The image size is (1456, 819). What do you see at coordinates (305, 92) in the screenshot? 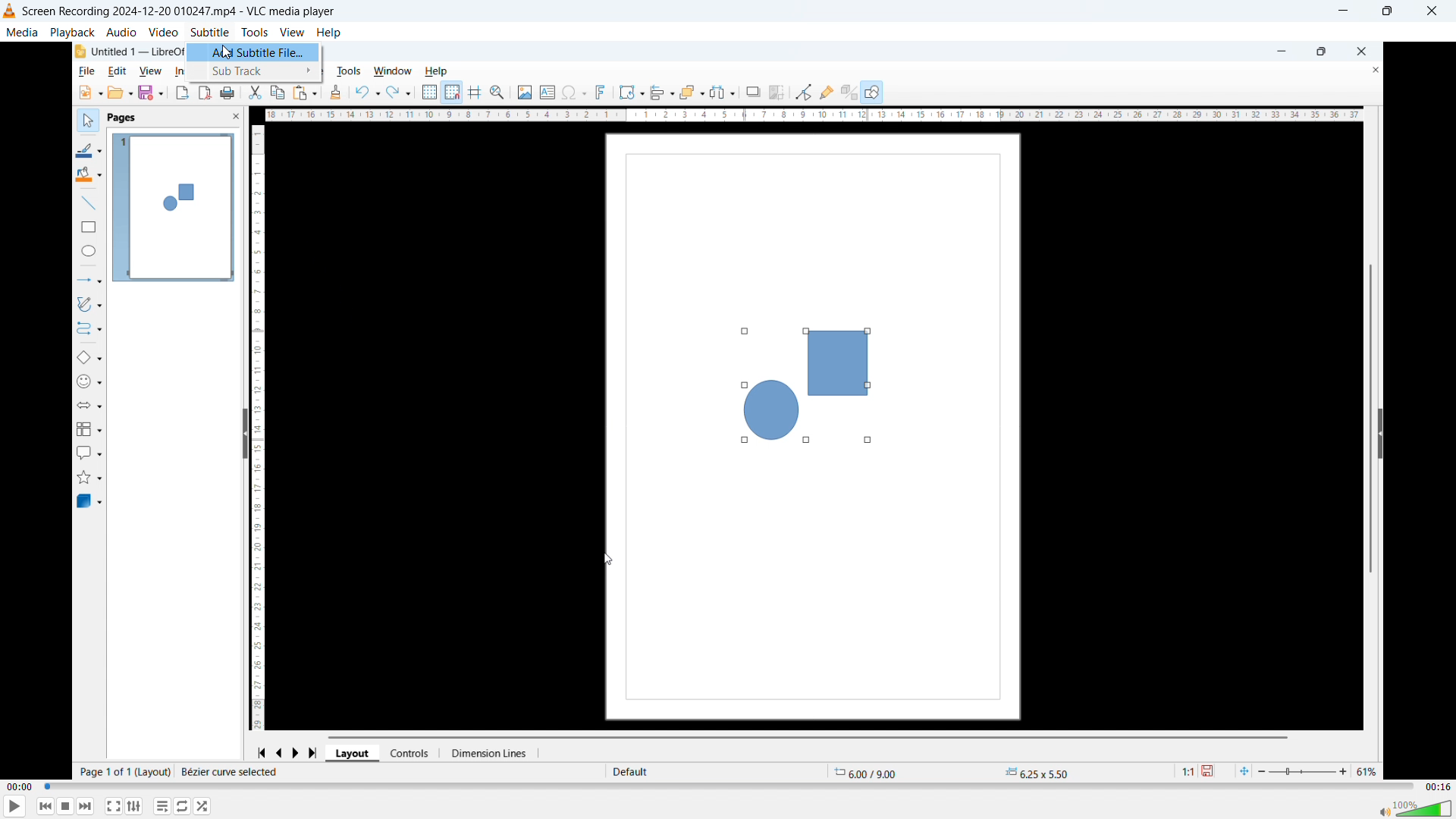
I see `paste` at bounding box center [305, 92].